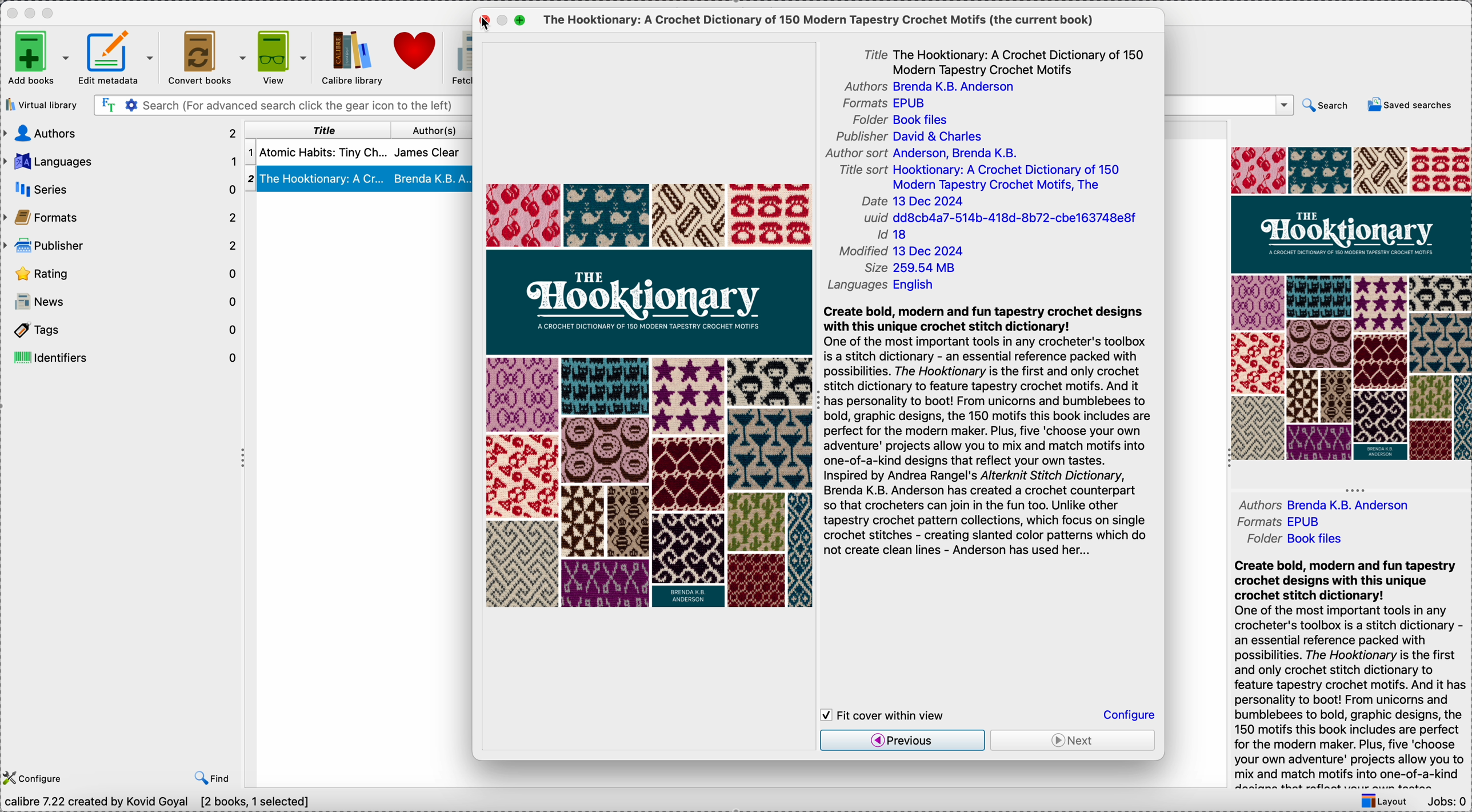 This screenshot has width=1472, height=812. Describe the element at coordinates (32, 13) in the screenshot. I see `minimize Calibre` at that location.